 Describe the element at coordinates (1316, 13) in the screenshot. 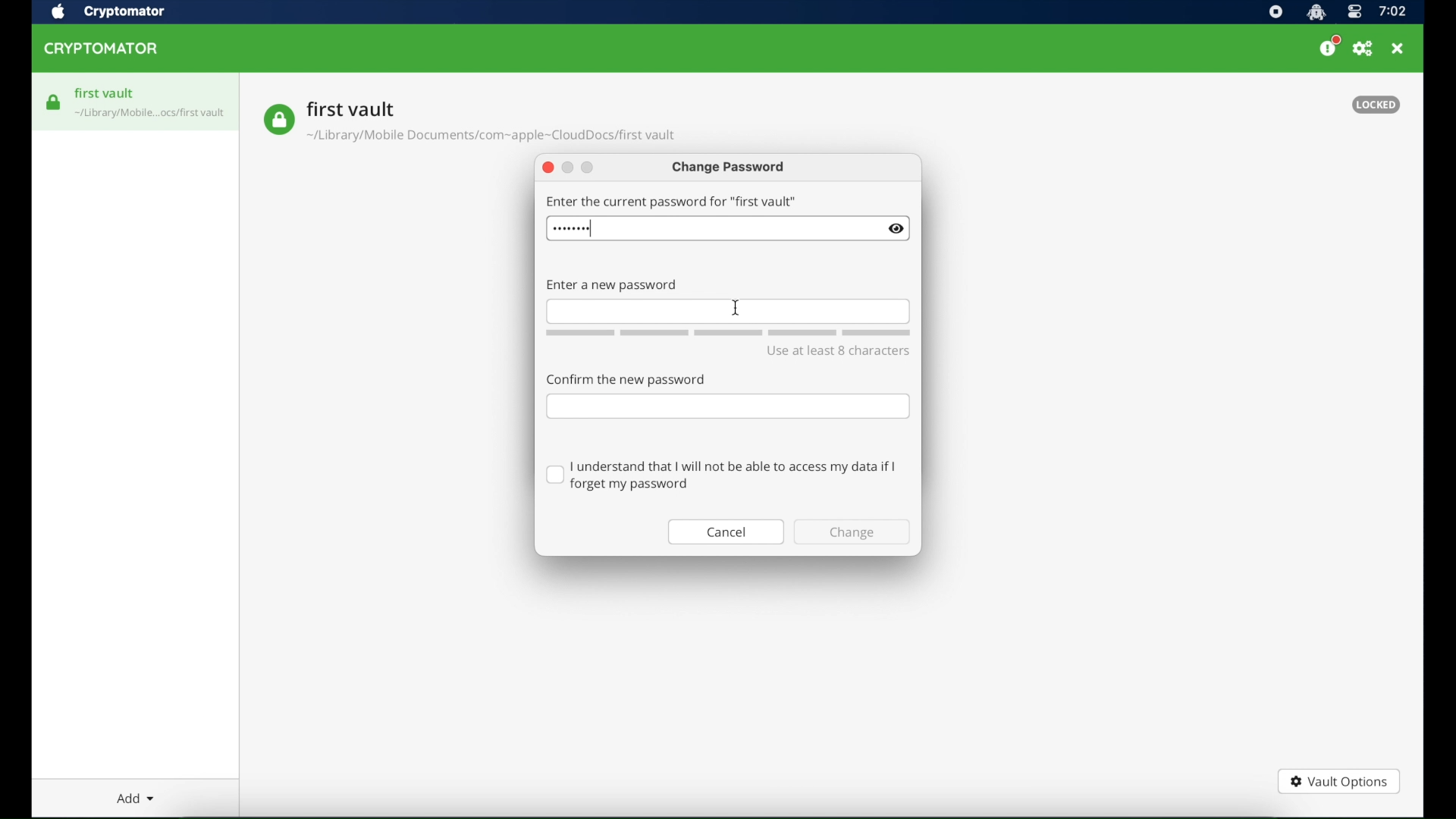

I see `cryptomator icon` at that location.